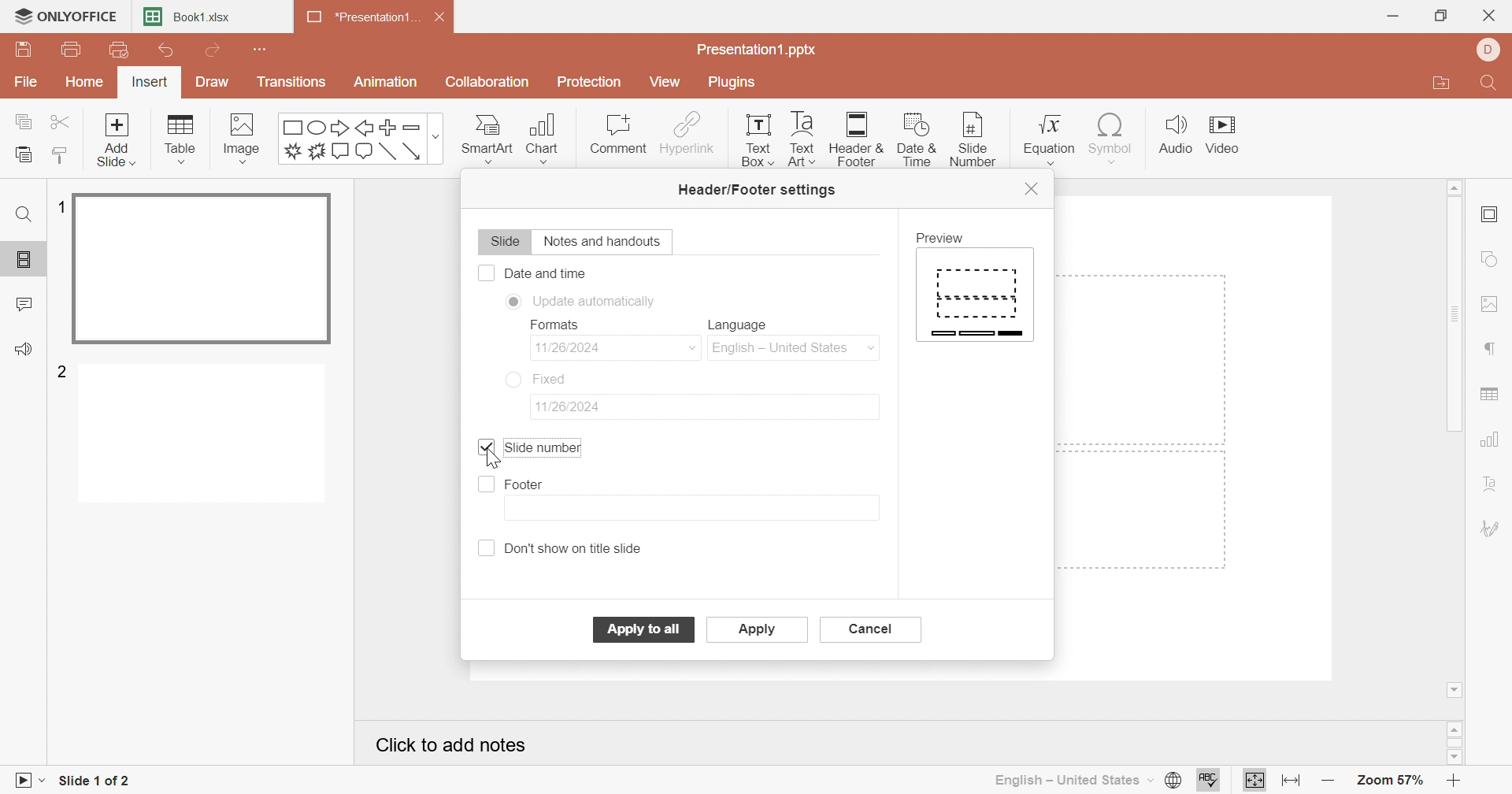 This screenshot has height=794, width=1512. What do you see at coordinates (547, 273) in the screenshot?
I see `Date and Time` at bounding box center [547, 273].